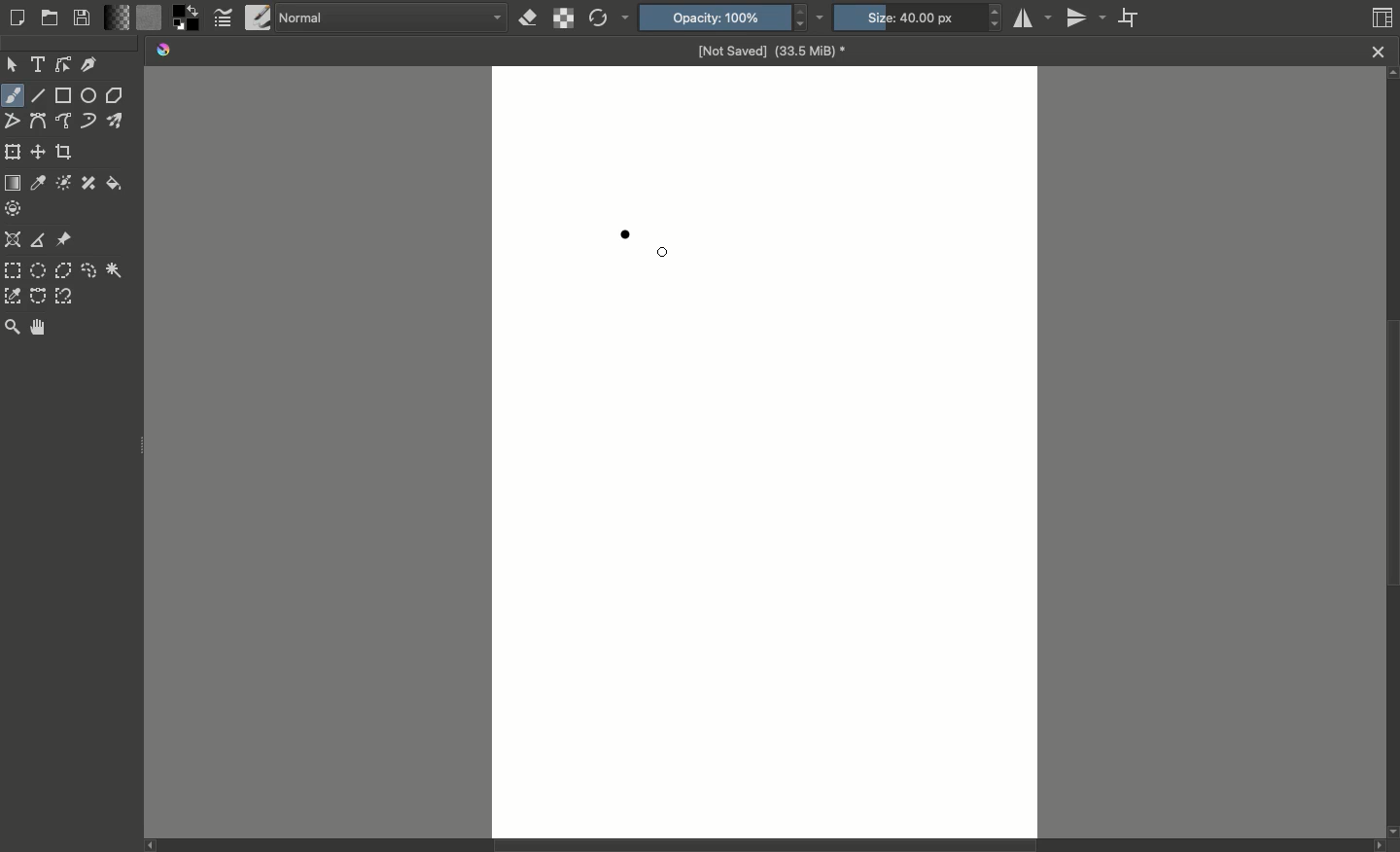  Describe the element at coordinates (118, 121) in the screenshot. I see `Multibrush tool` at that location.